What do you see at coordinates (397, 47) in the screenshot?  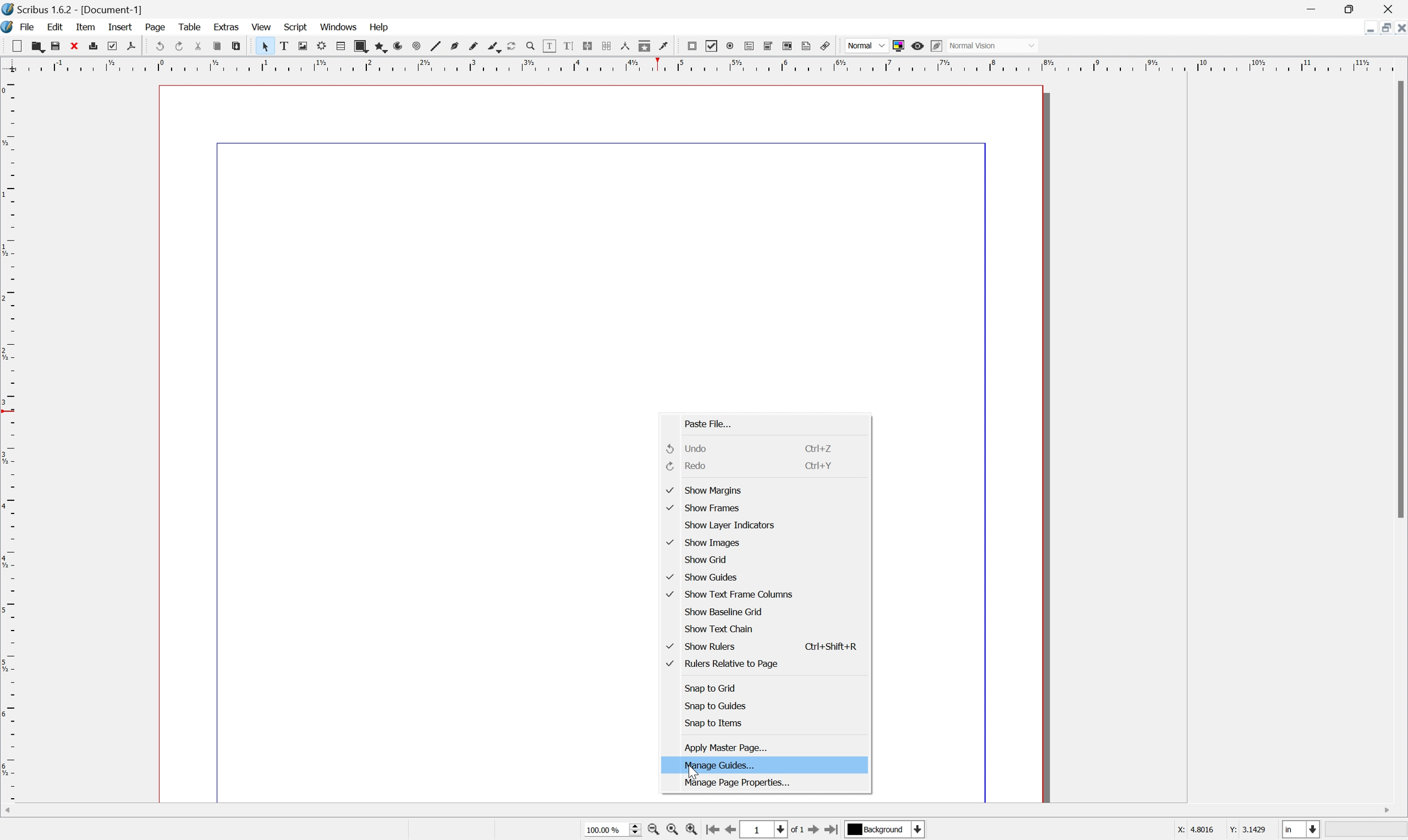 I see `arc` at bounding box center [397, 47].